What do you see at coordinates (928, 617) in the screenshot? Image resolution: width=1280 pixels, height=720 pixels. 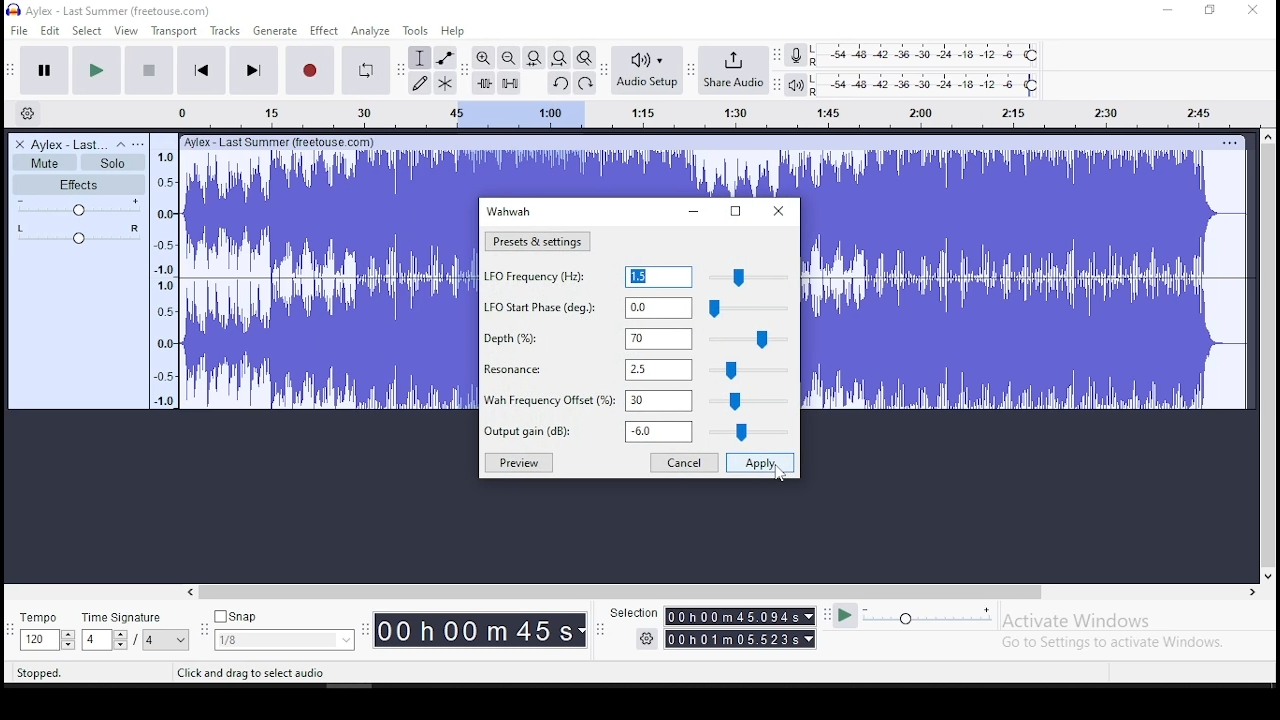 I see `playback speed` at bounding box center [928, 617].